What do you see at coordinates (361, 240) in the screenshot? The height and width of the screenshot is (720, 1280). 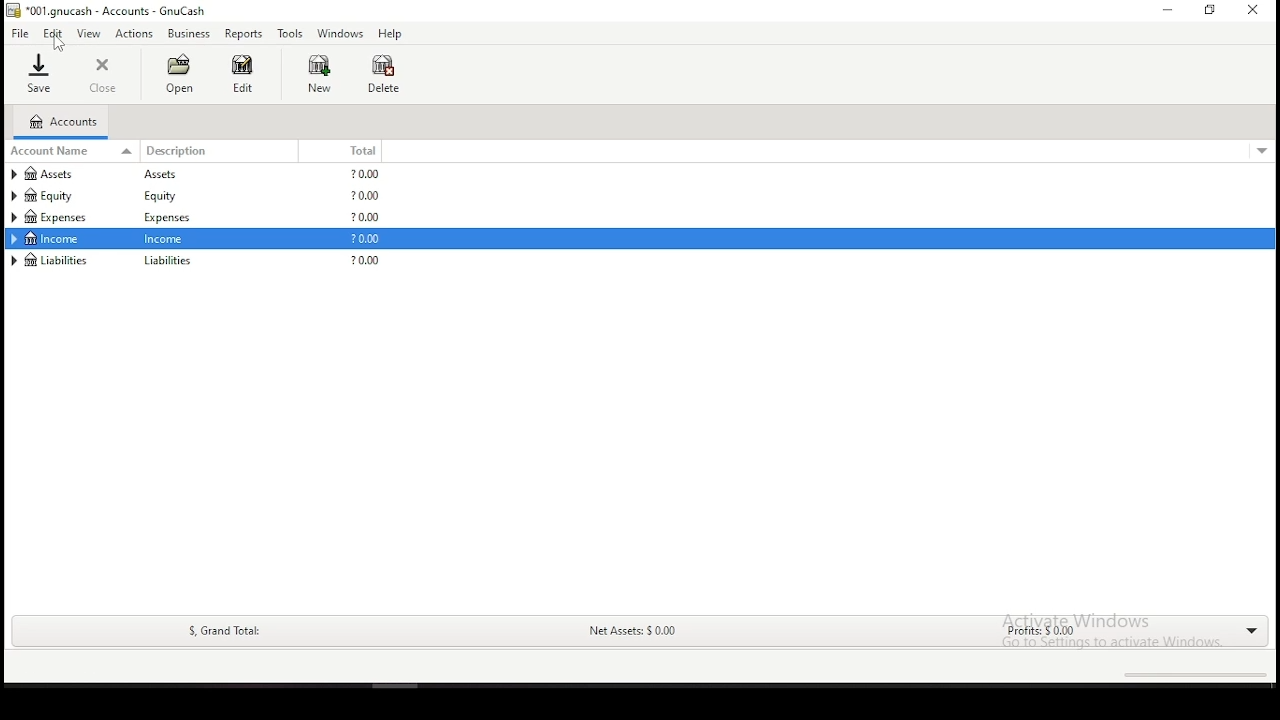 I see `? 0.00` at bounding box center [361, 240].